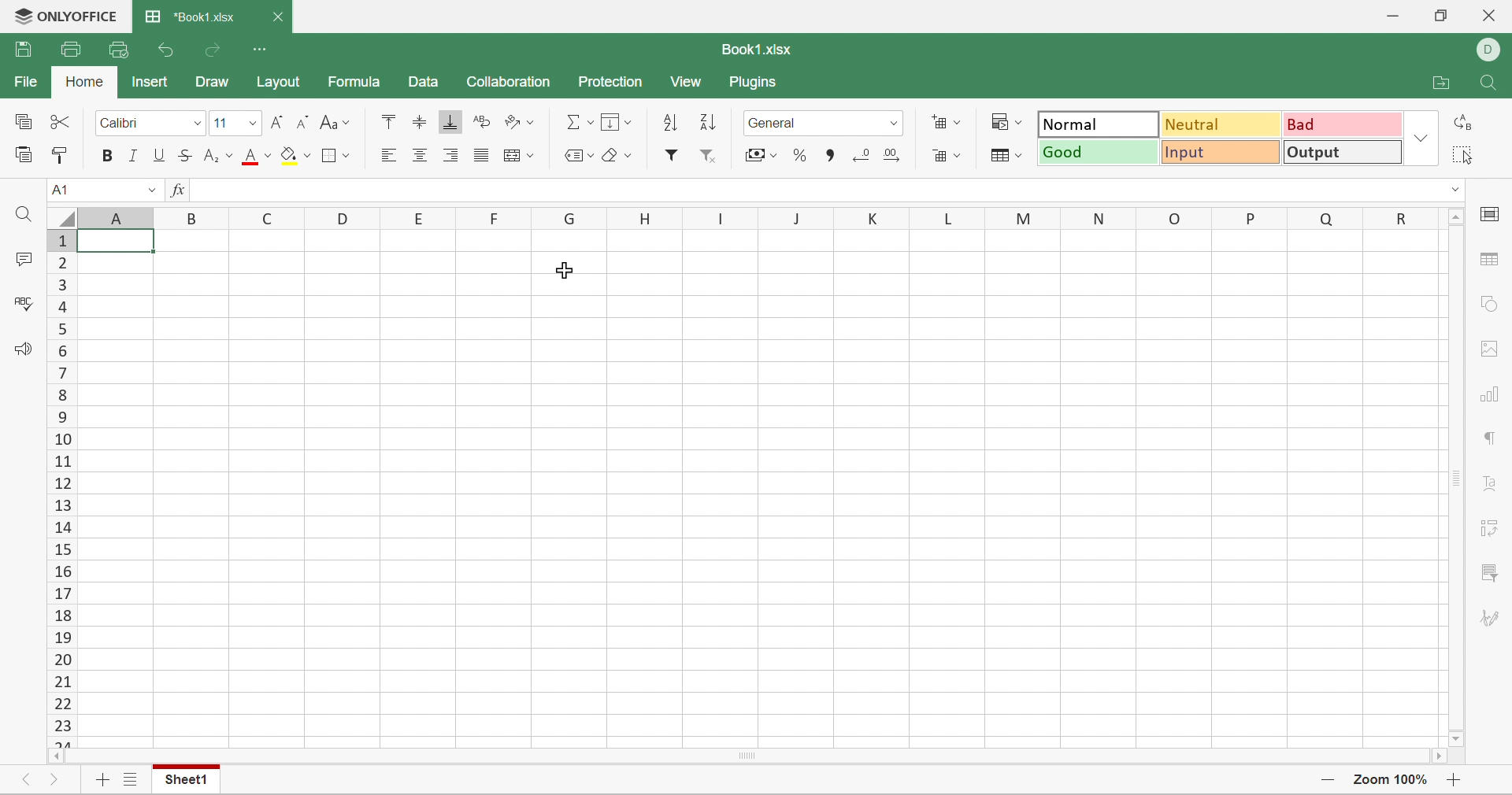 Image resolution: width=1512 pixels, height=795 pixels. Describe the element at coordinates (1173, 215) in the screenshot. I see `O` at that location.